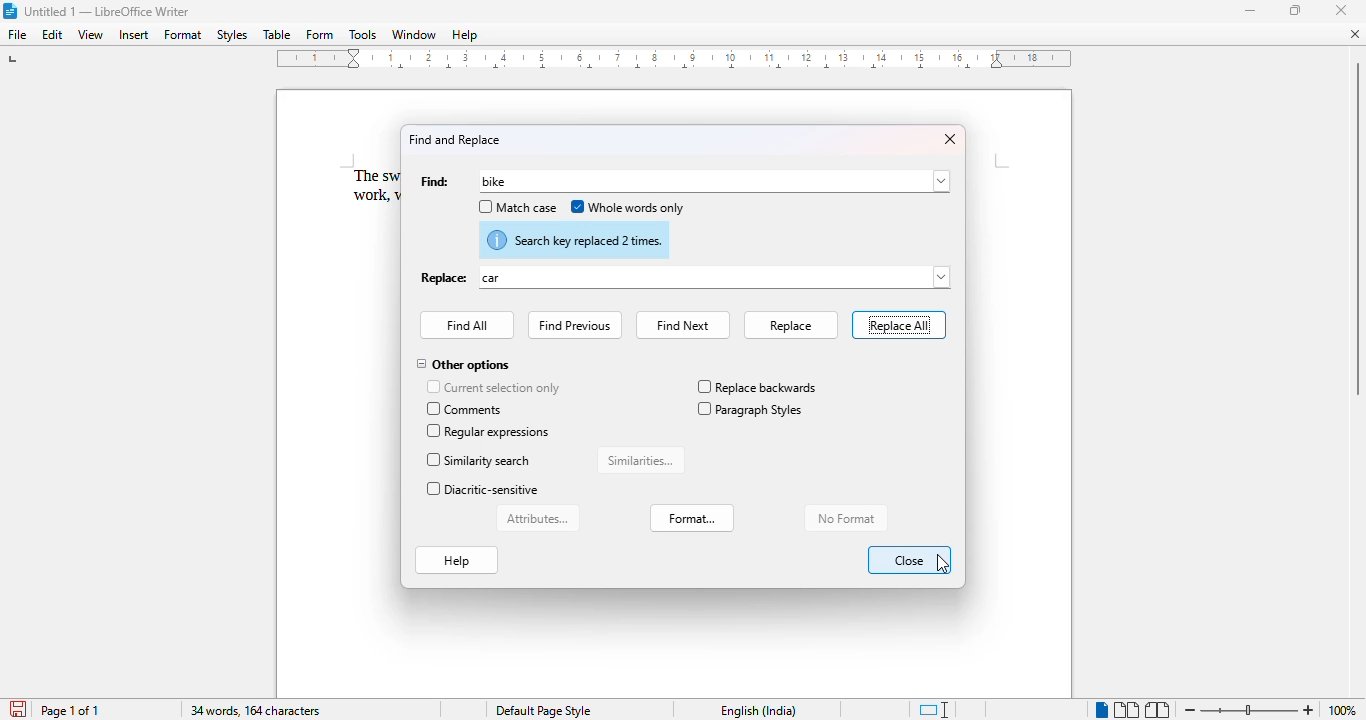  I want to click on current selection only, so click(493, 387).